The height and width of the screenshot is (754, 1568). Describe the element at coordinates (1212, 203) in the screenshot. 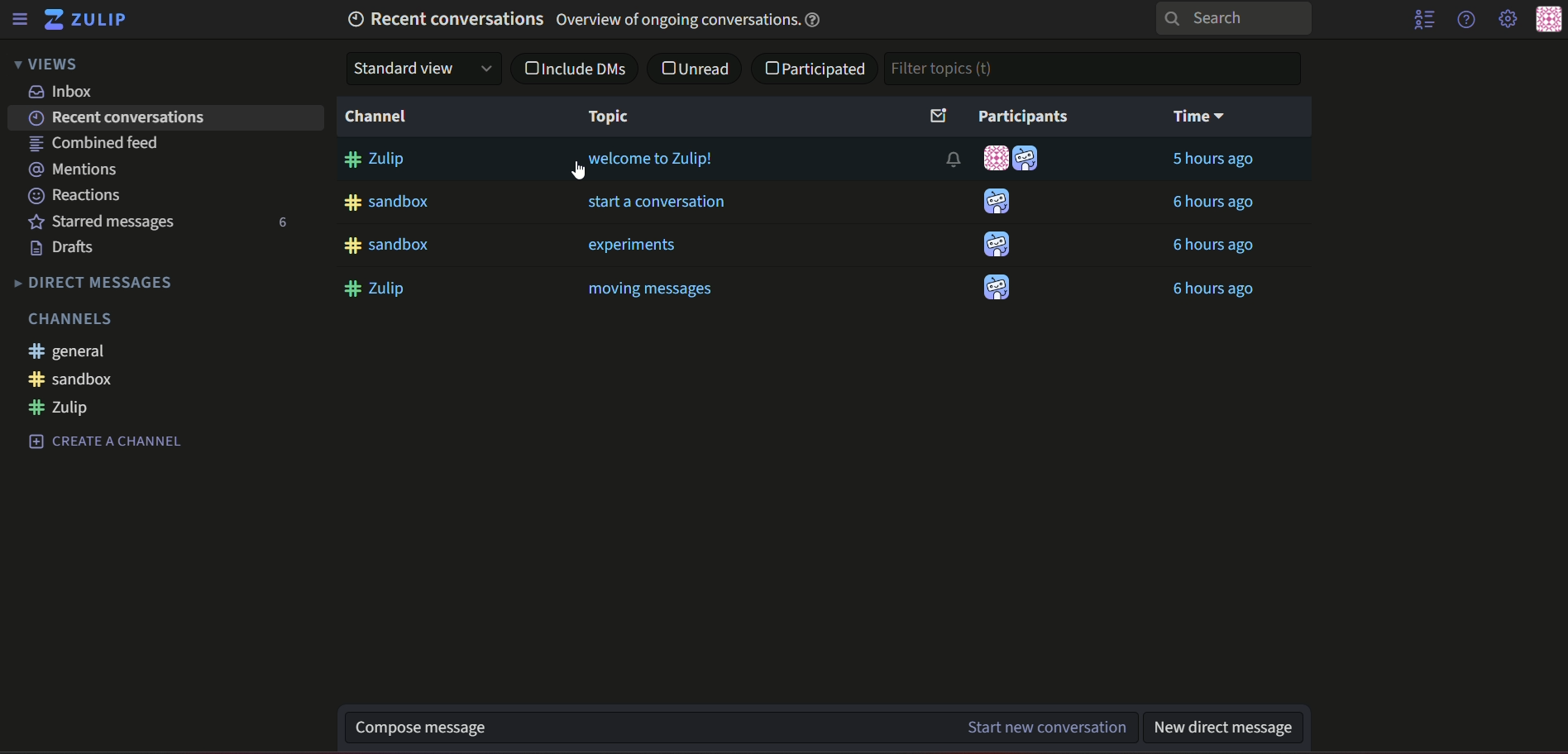

I see `6 hours ago` at that location.